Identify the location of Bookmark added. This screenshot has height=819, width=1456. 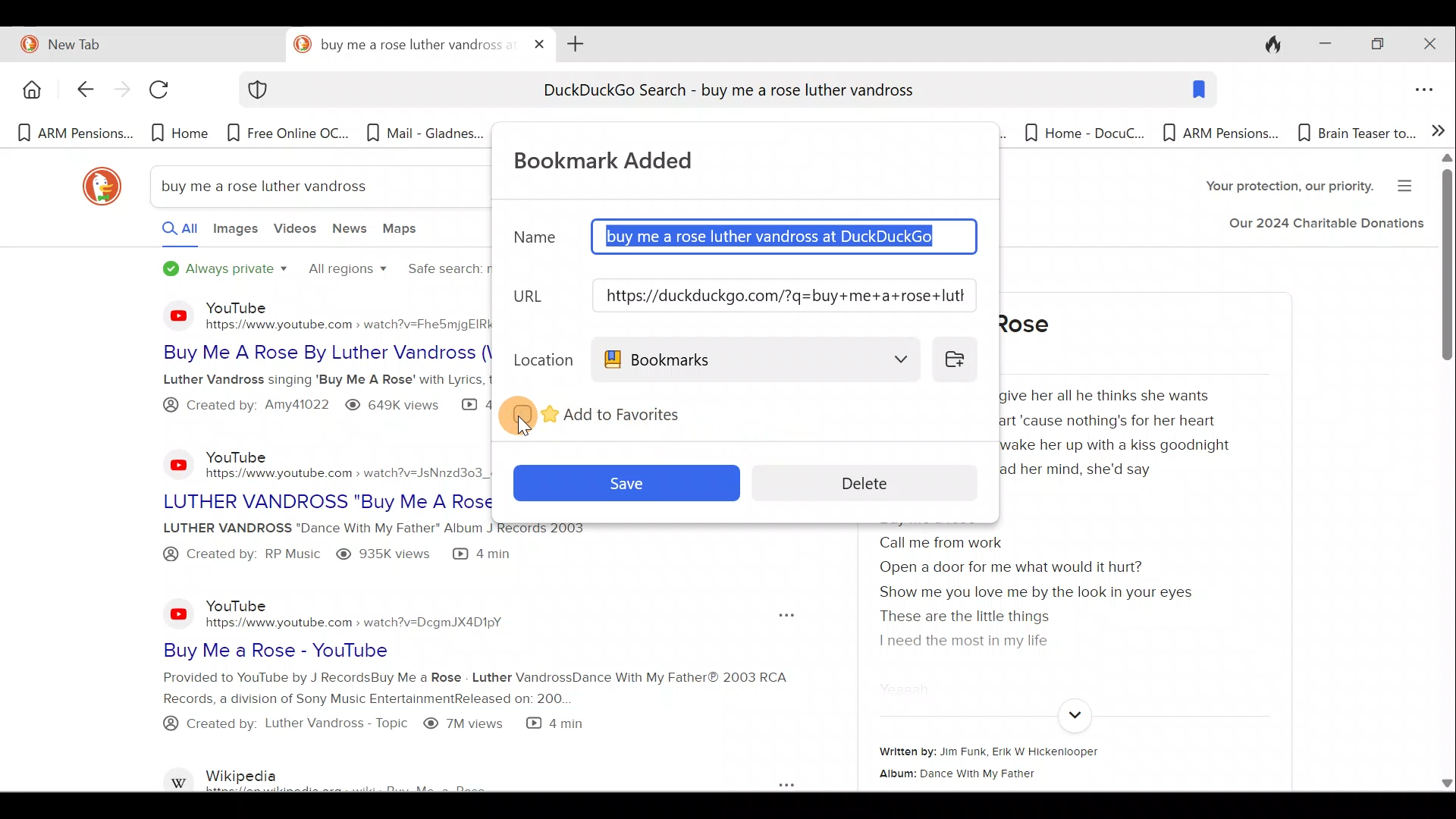
(620, 158).